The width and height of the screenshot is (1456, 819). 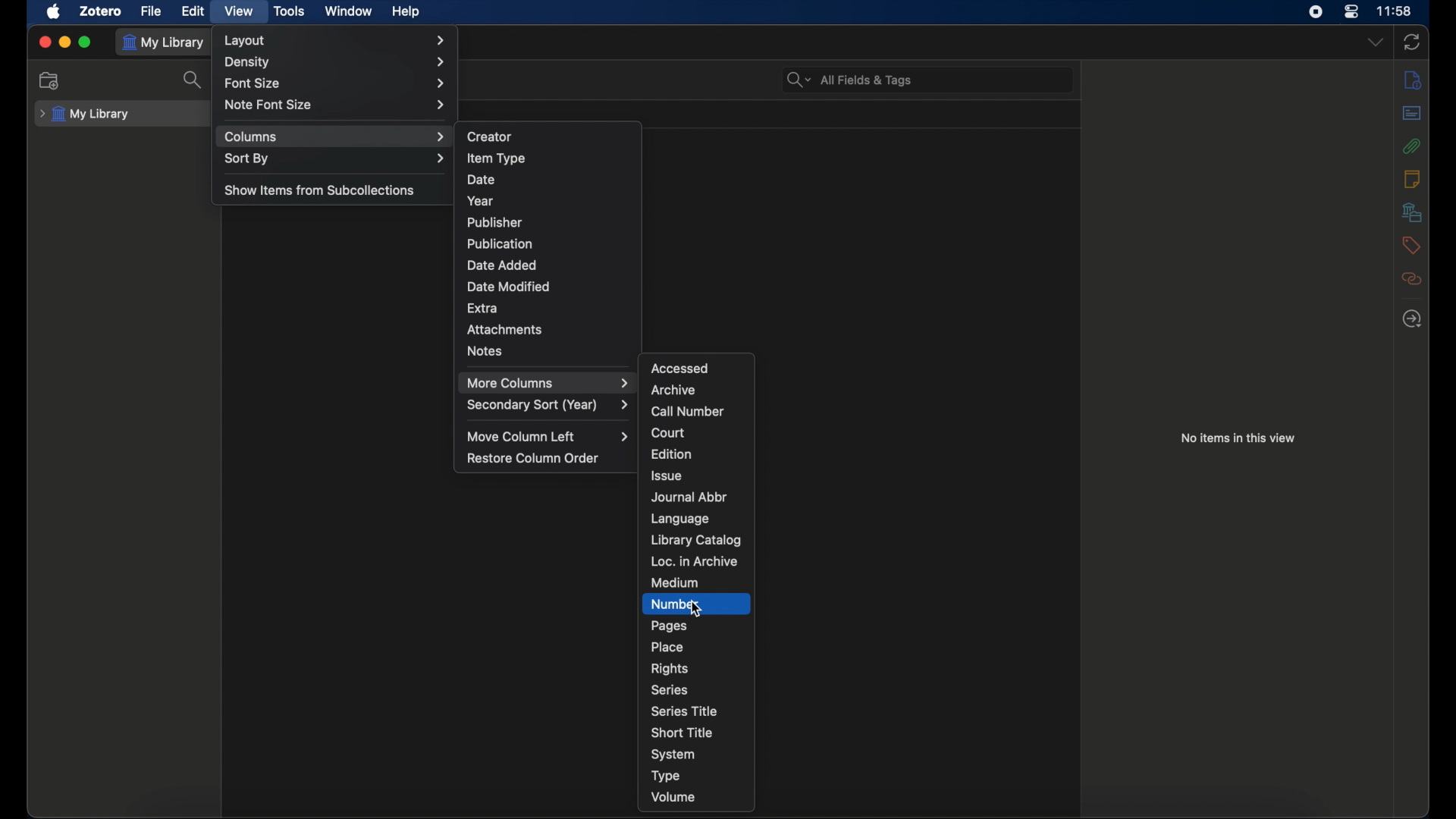 I want to click on medium, so click(x=673, y=583).